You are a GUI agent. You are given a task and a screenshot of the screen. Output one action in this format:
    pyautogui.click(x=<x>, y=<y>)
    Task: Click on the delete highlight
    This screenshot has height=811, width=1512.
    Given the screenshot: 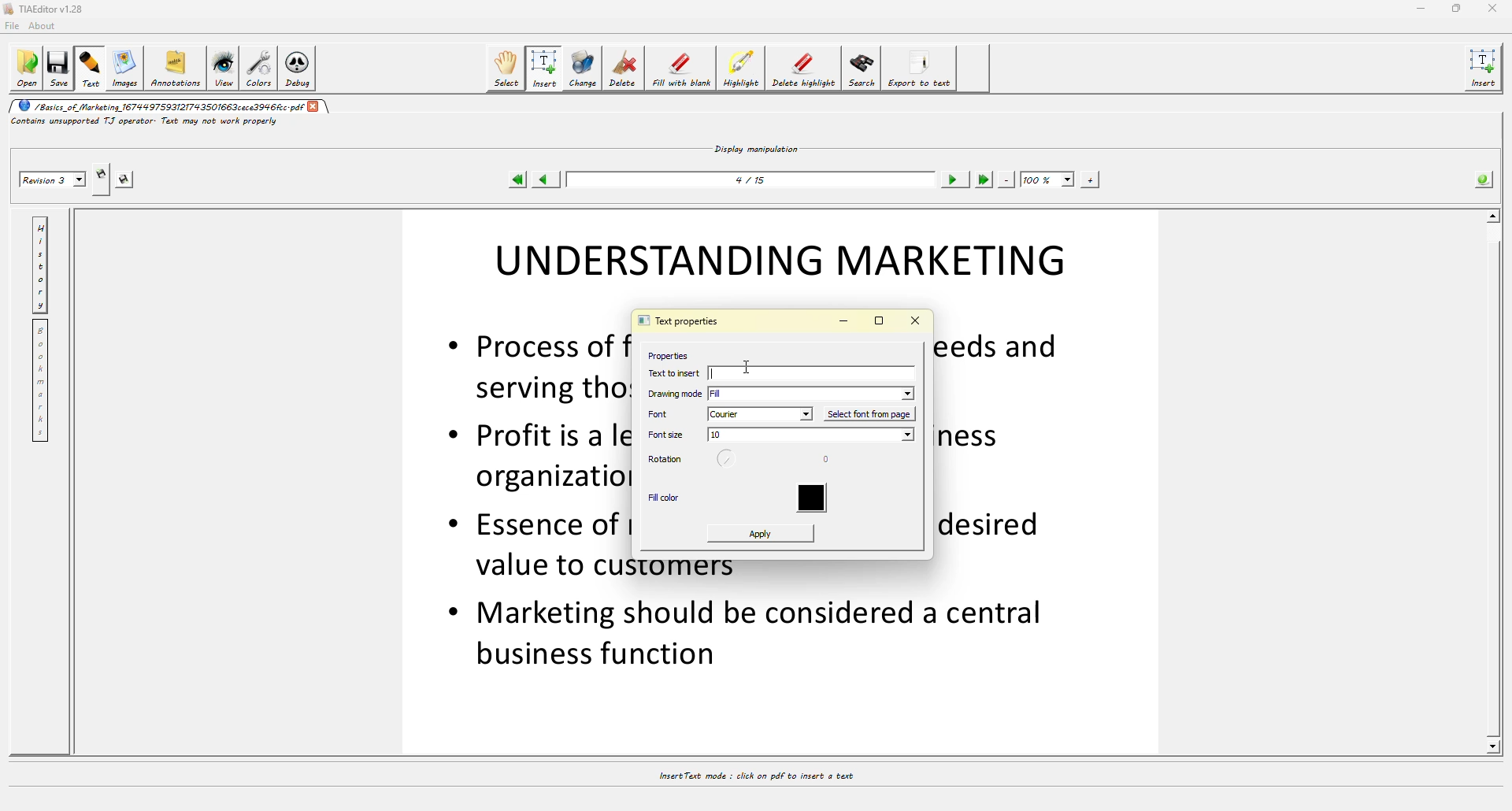 What is the action you would take?
    pyautogui.click(x=805, y=69)
    